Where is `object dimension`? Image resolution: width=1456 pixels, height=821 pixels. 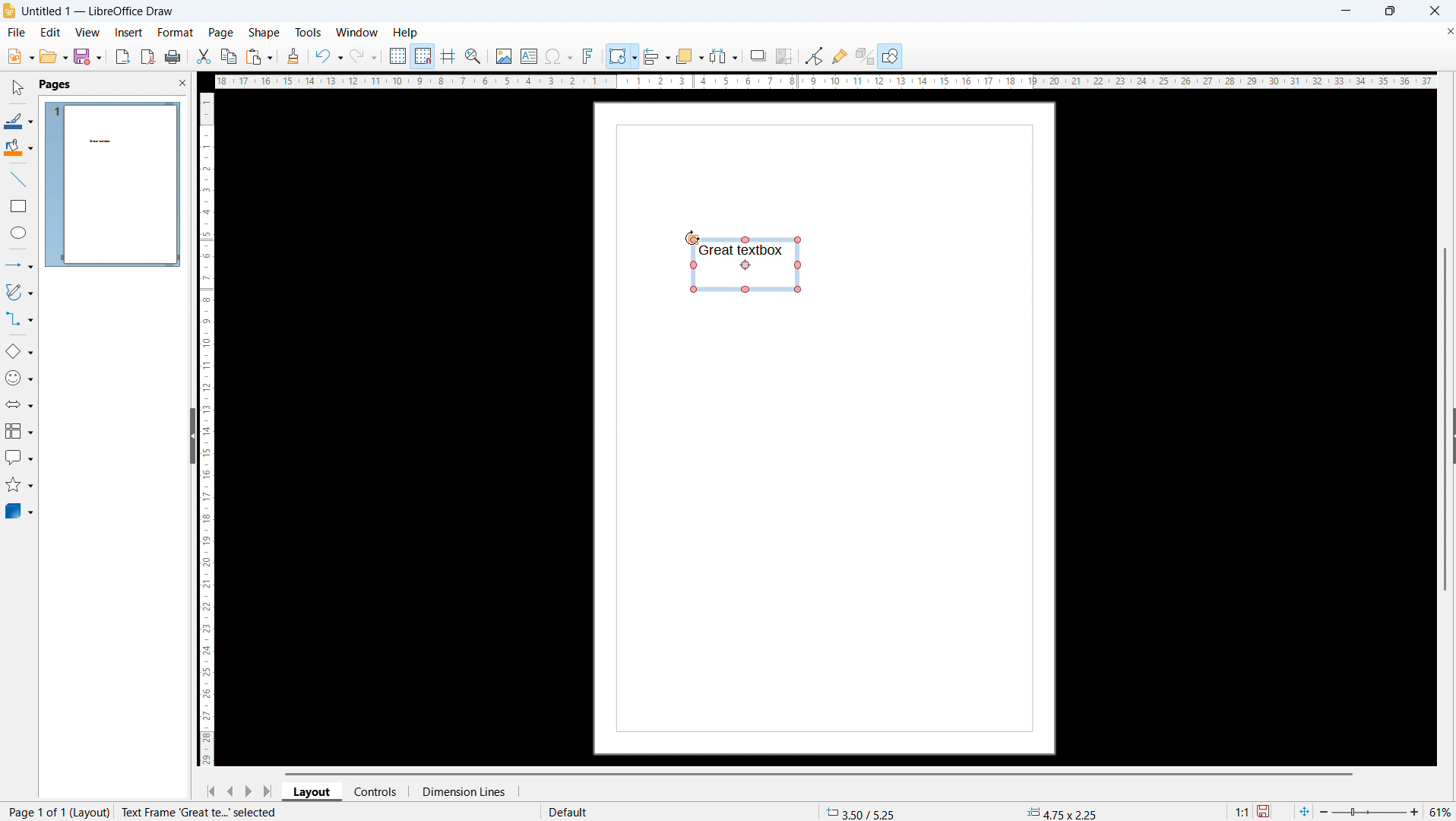
object dimension is located at coordinates (1063, 812).